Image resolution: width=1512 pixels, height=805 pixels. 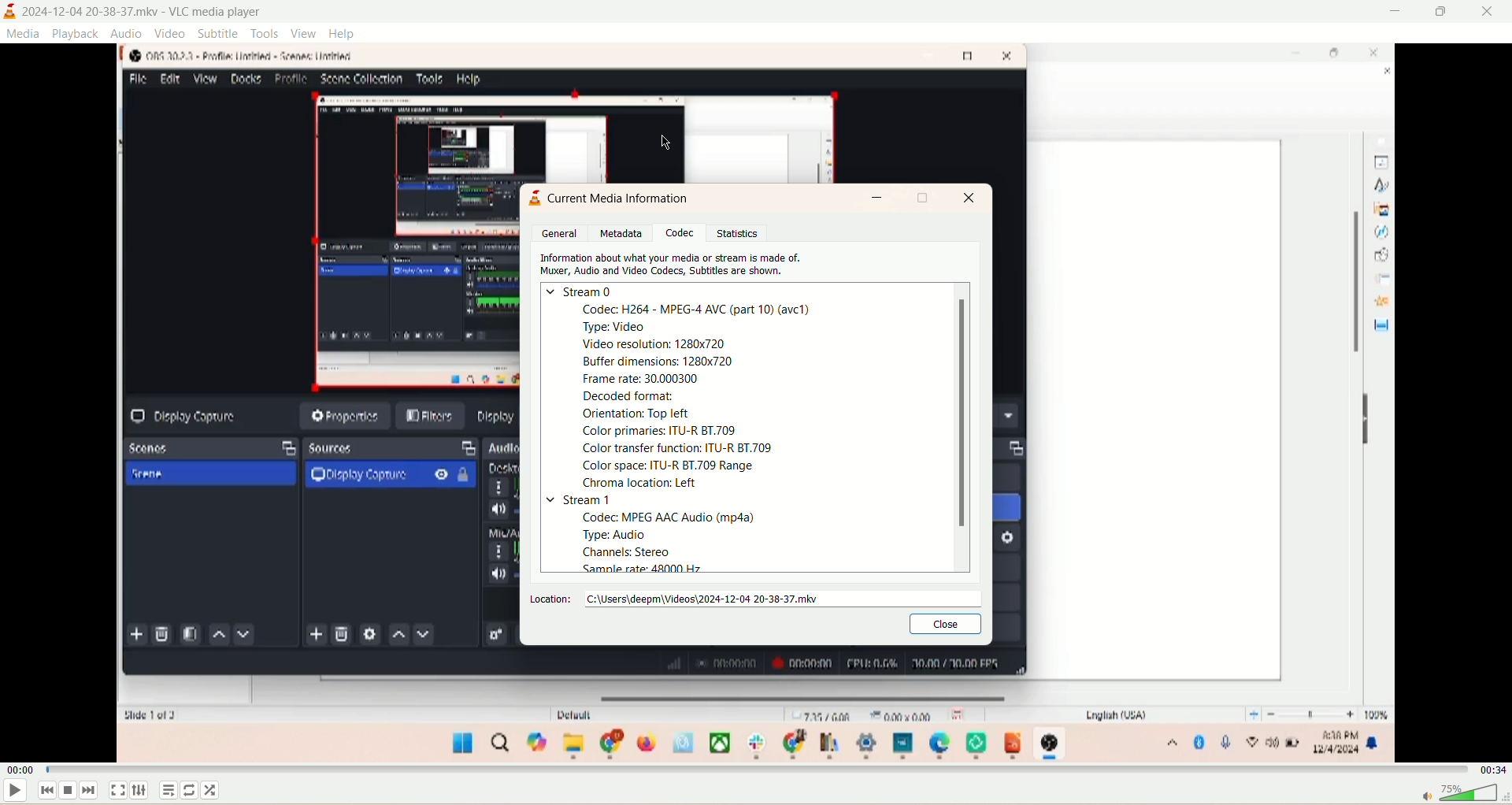 I want to click on title, so click(x=143, y=13).